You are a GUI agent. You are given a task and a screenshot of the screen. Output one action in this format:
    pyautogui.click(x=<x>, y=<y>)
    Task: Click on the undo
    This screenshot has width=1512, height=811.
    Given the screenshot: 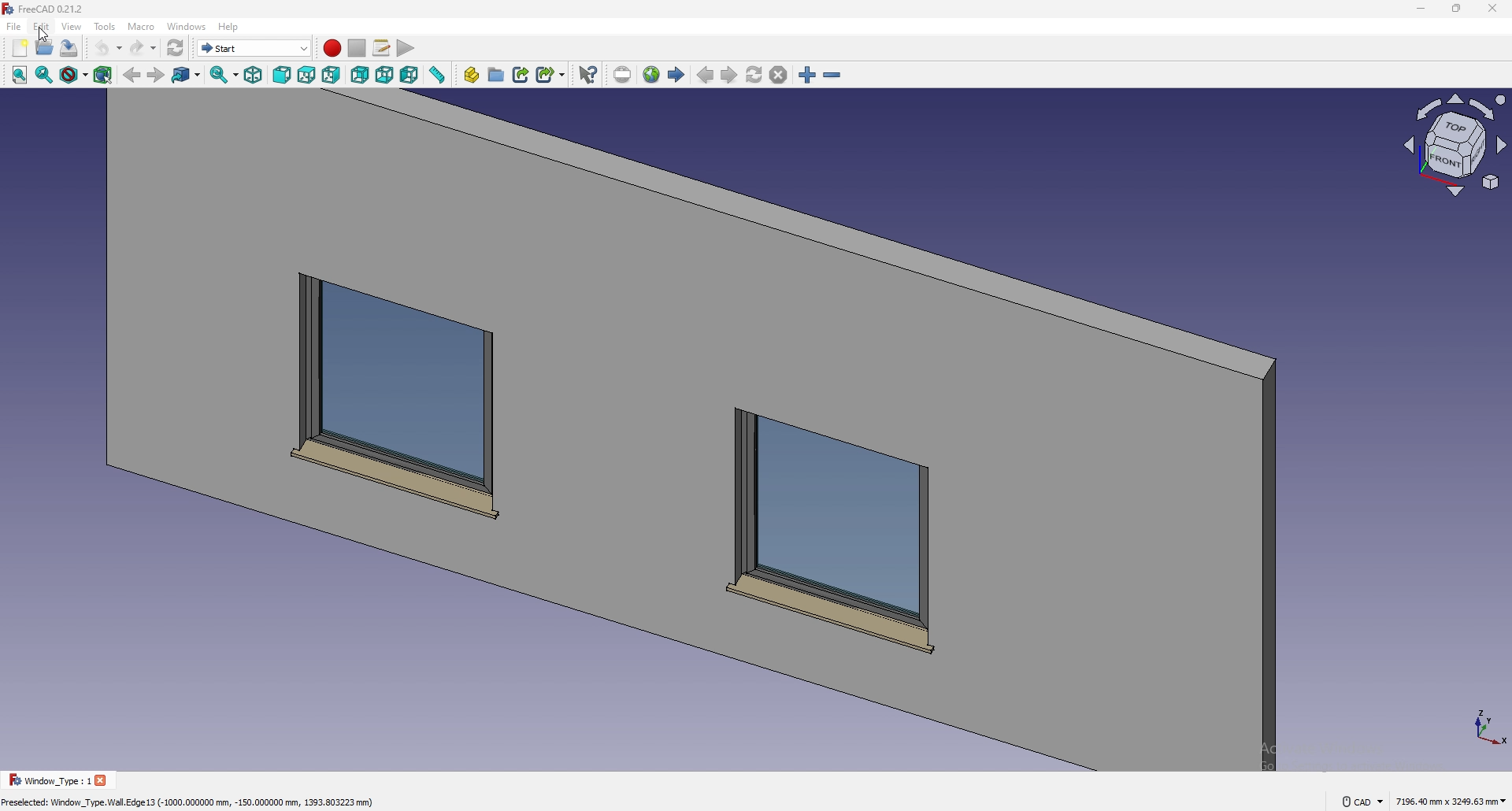 What is the action you would take?
    pyautogui.click(x=108, y=48)
    